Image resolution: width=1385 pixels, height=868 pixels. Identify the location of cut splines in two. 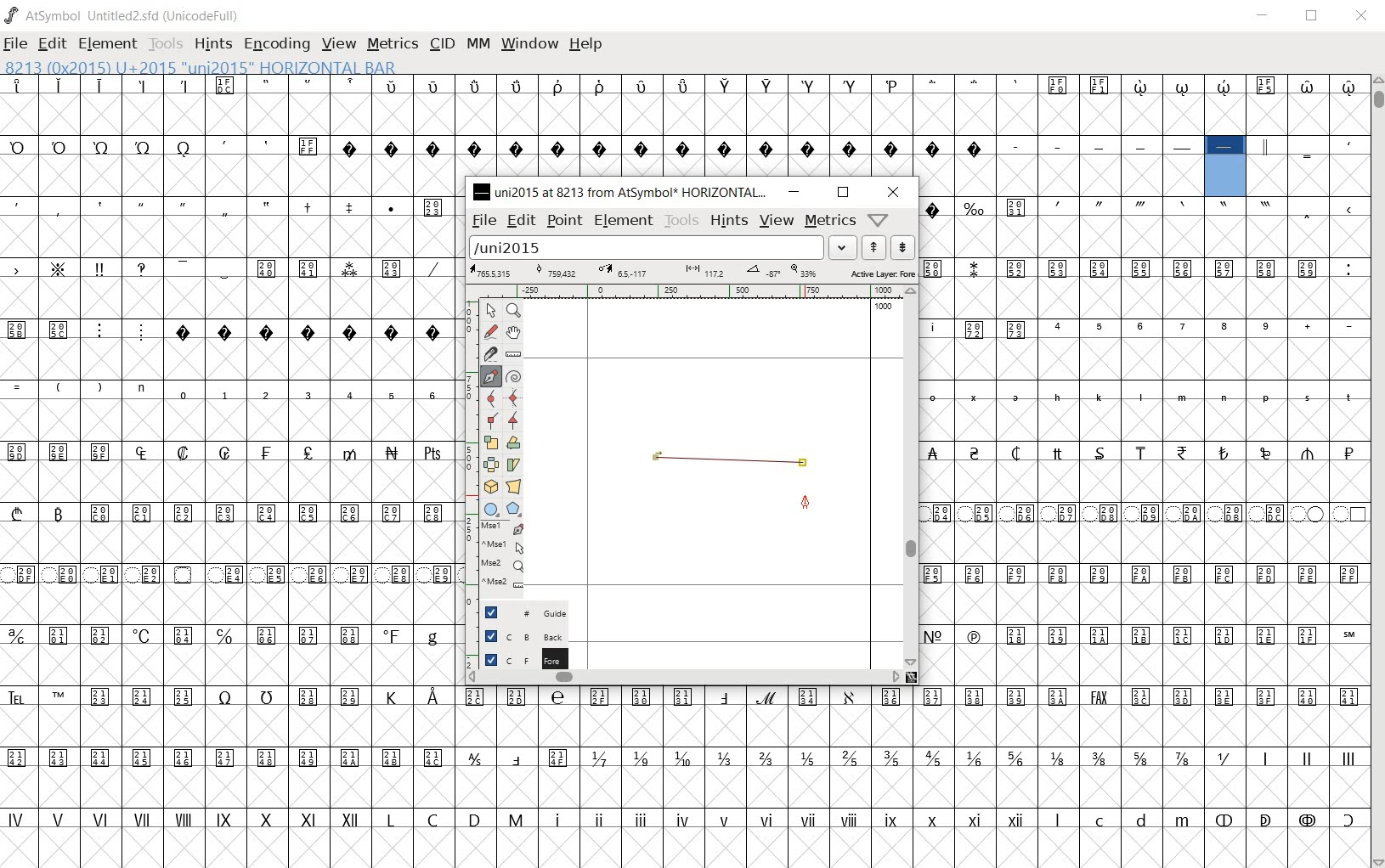
(488, 352).